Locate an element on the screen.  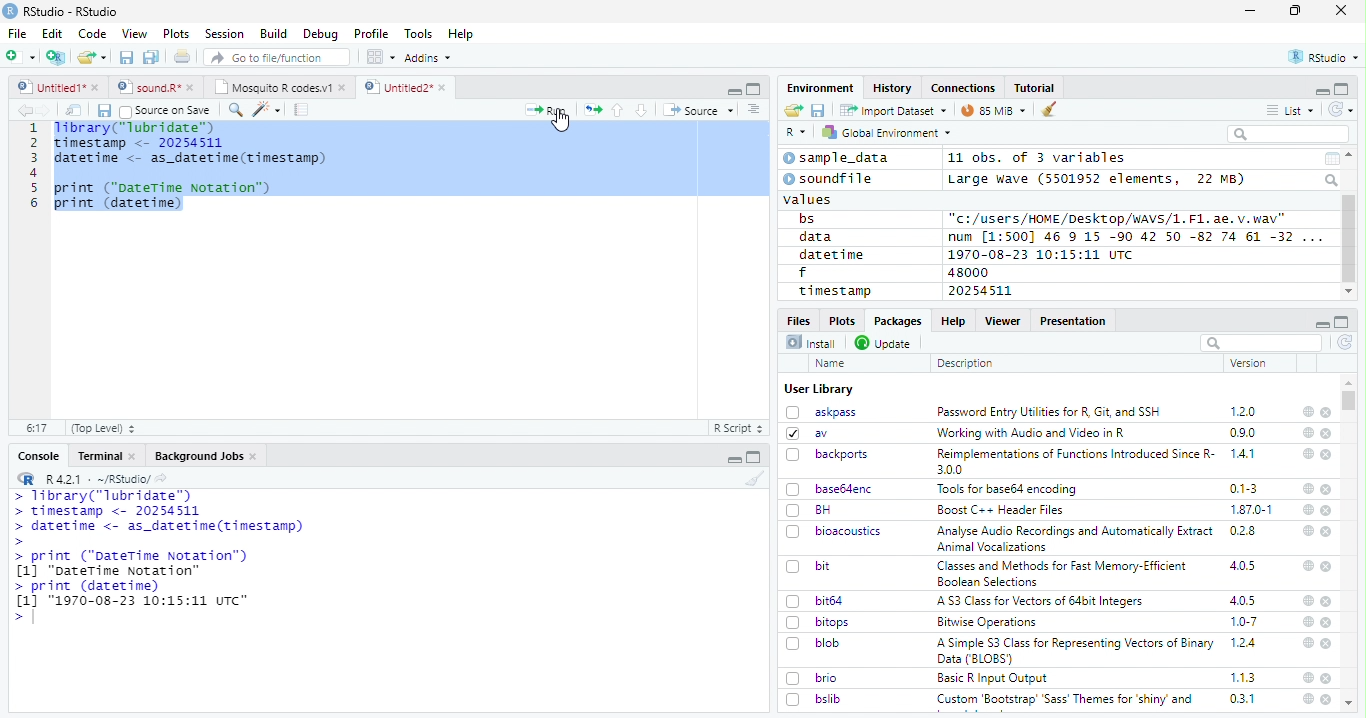
help is located at coordinates (1307, 453).